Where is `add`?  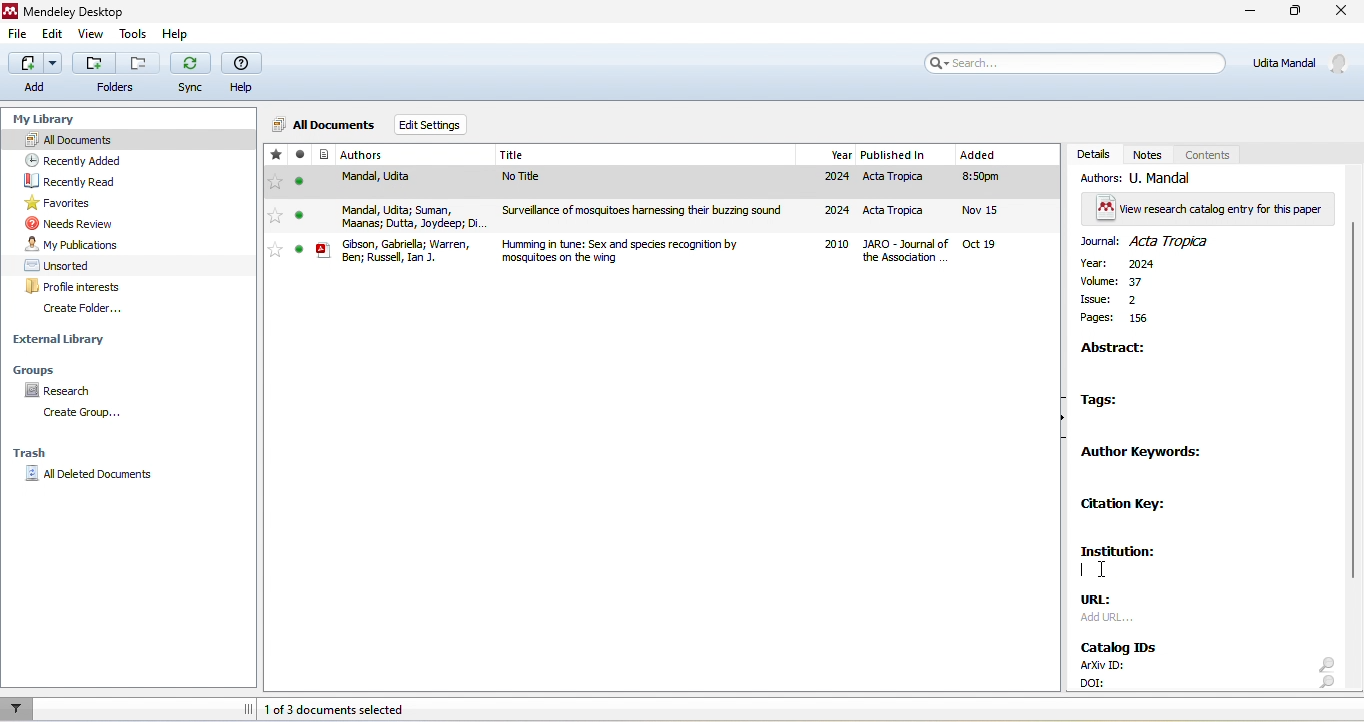
add is located at coordinates (93, 63).